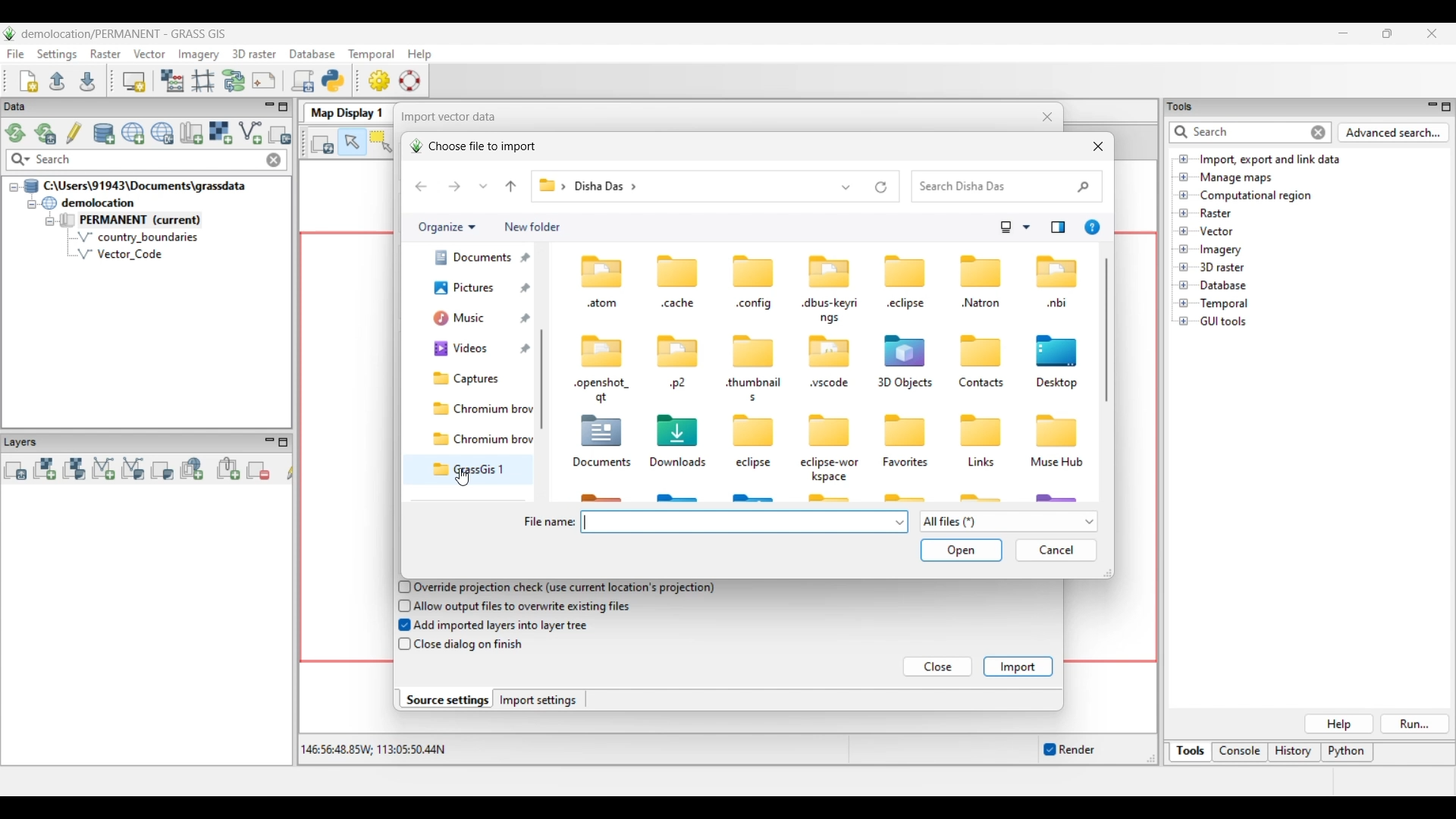 This screenshot has width=1456, height=819. I want to click on Vector menu, so click(149, 54).